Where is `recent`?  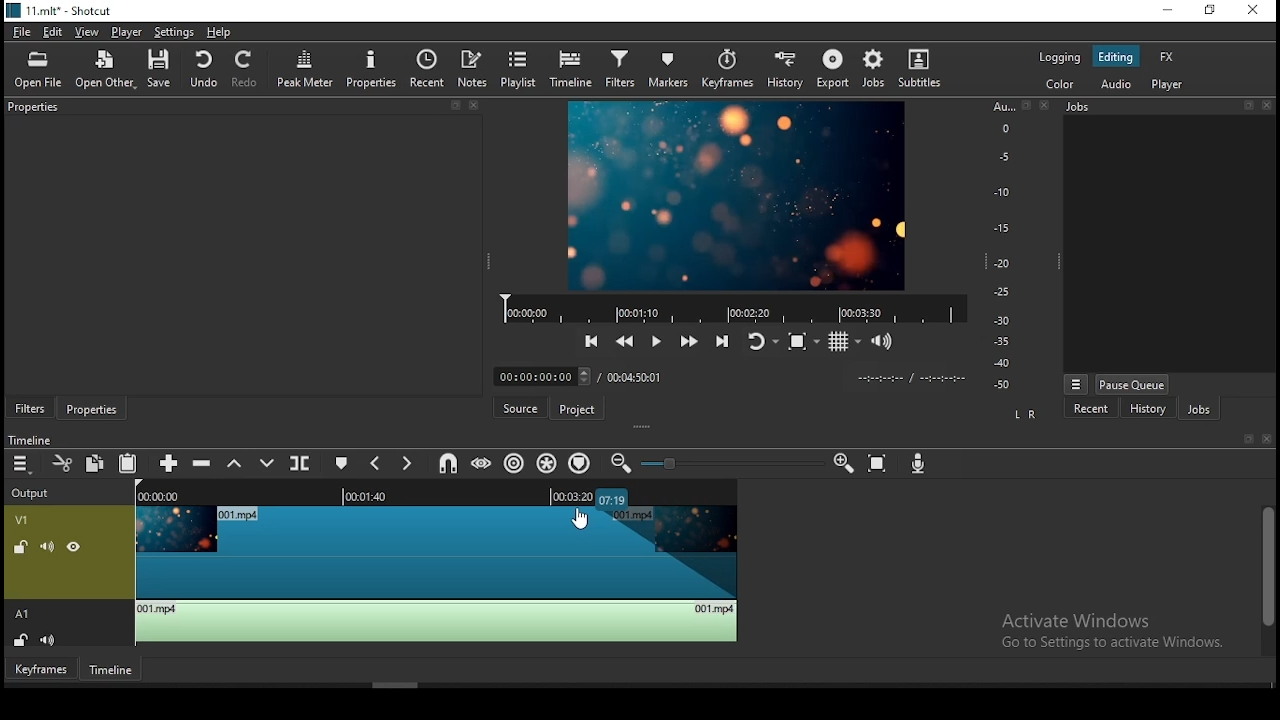 recent is located at coordinates (1091, 410).